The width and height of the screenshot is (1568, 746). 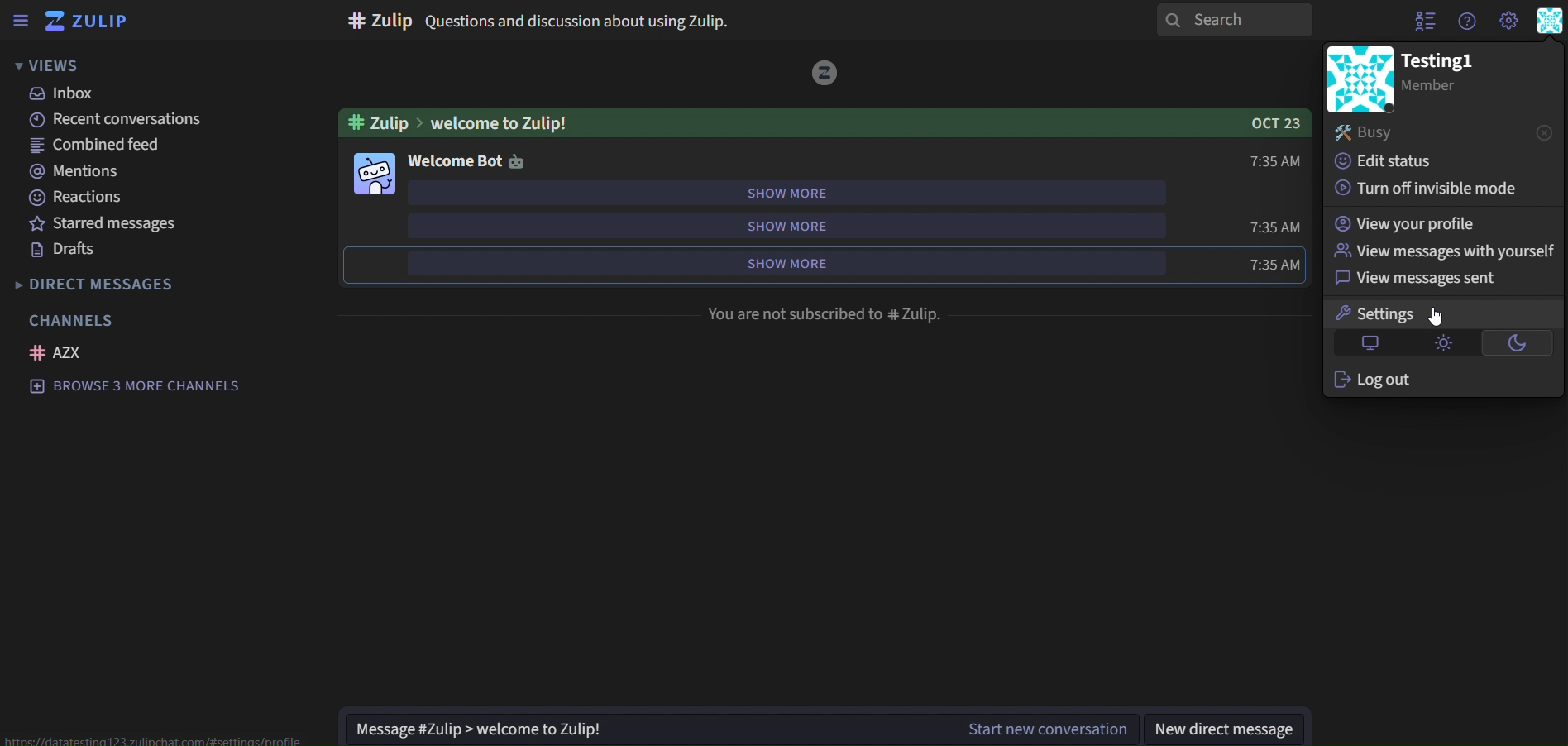 What do you see at coordinates (1442, 61) in the screenshot?
I see `testing1` at bounding box center [1442, 61].